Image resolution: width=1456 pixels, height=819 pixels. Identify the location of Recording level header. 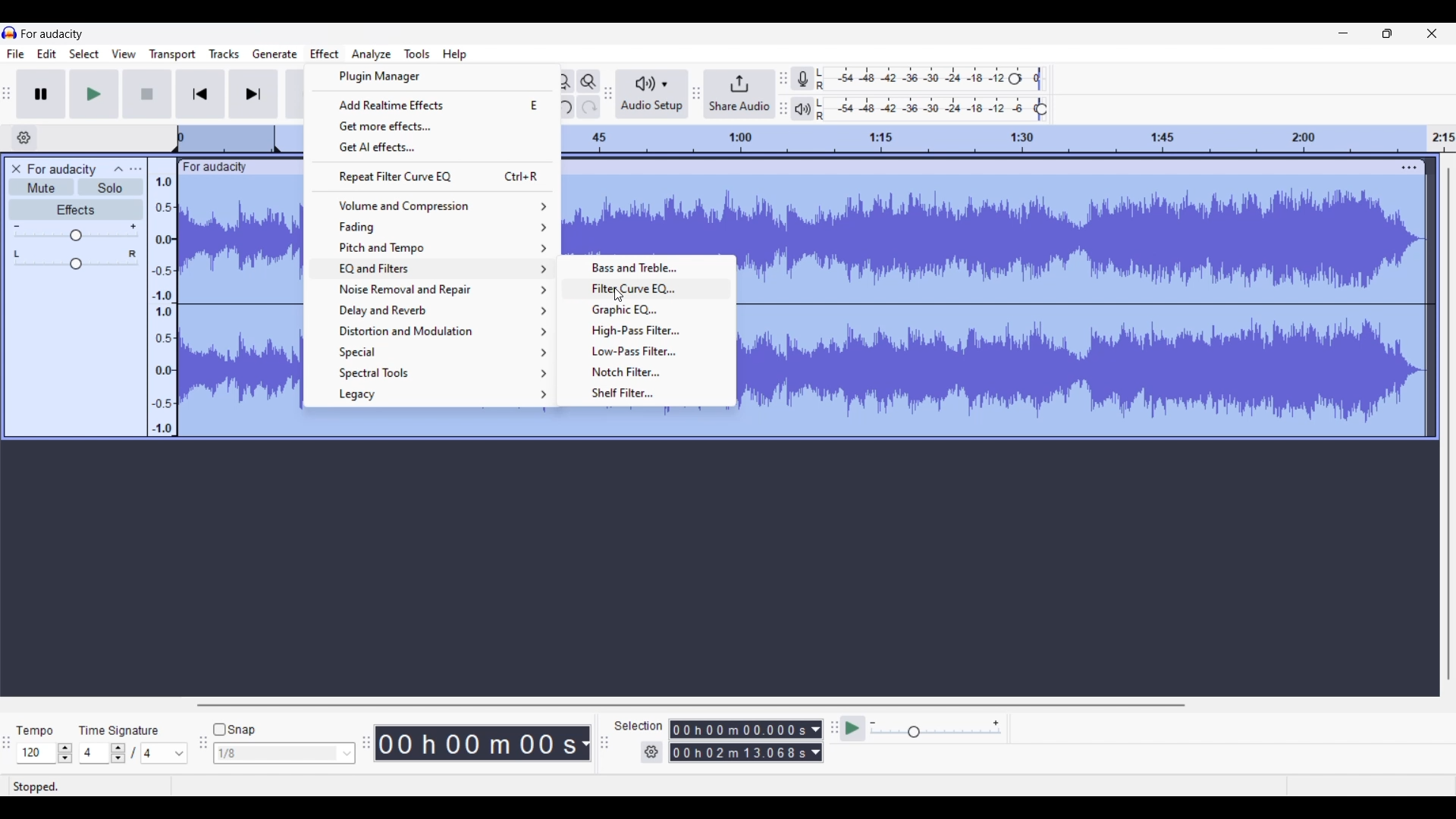
(1015, 79).